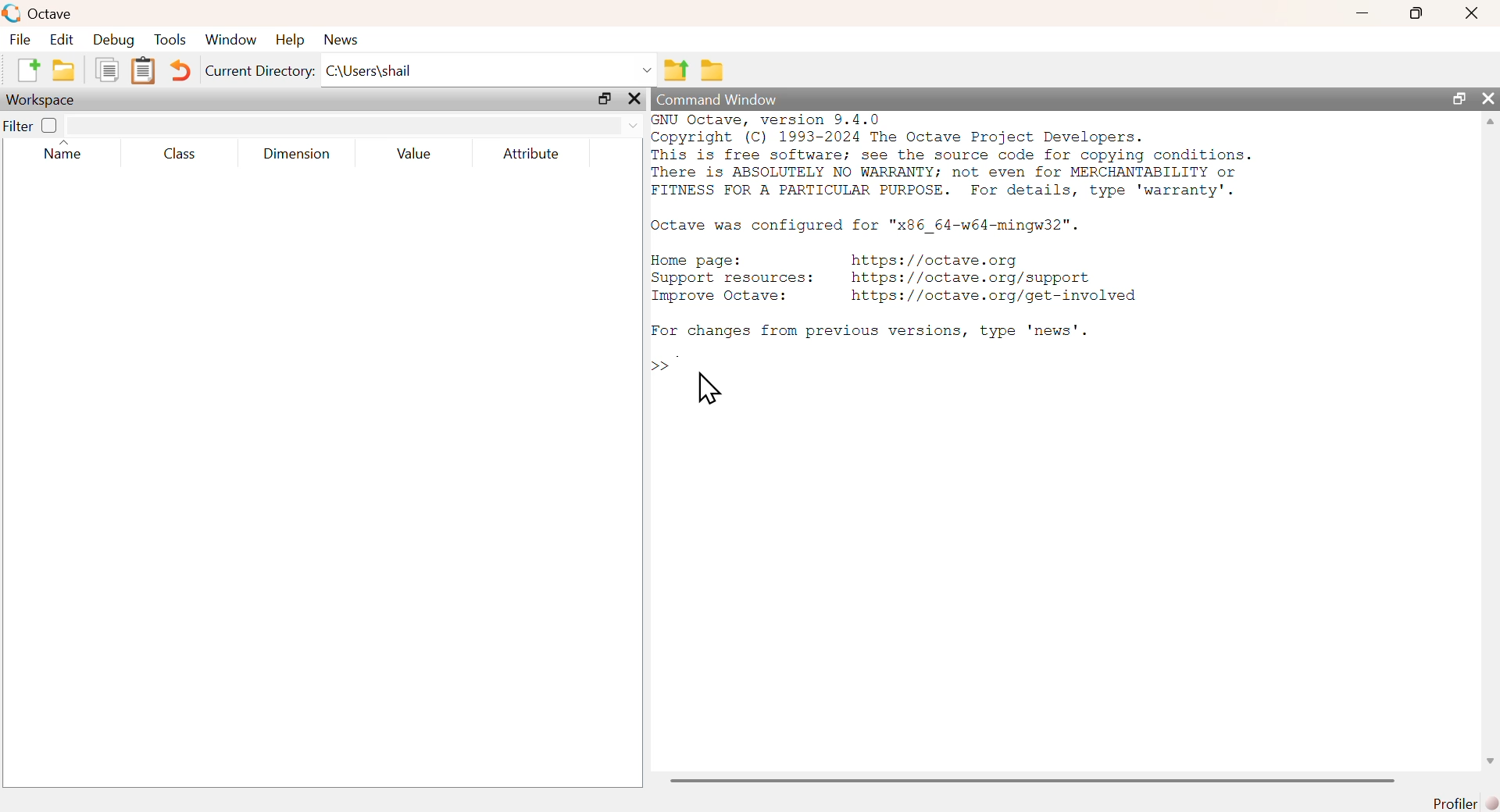  I want to click on value, so click(414, 155).